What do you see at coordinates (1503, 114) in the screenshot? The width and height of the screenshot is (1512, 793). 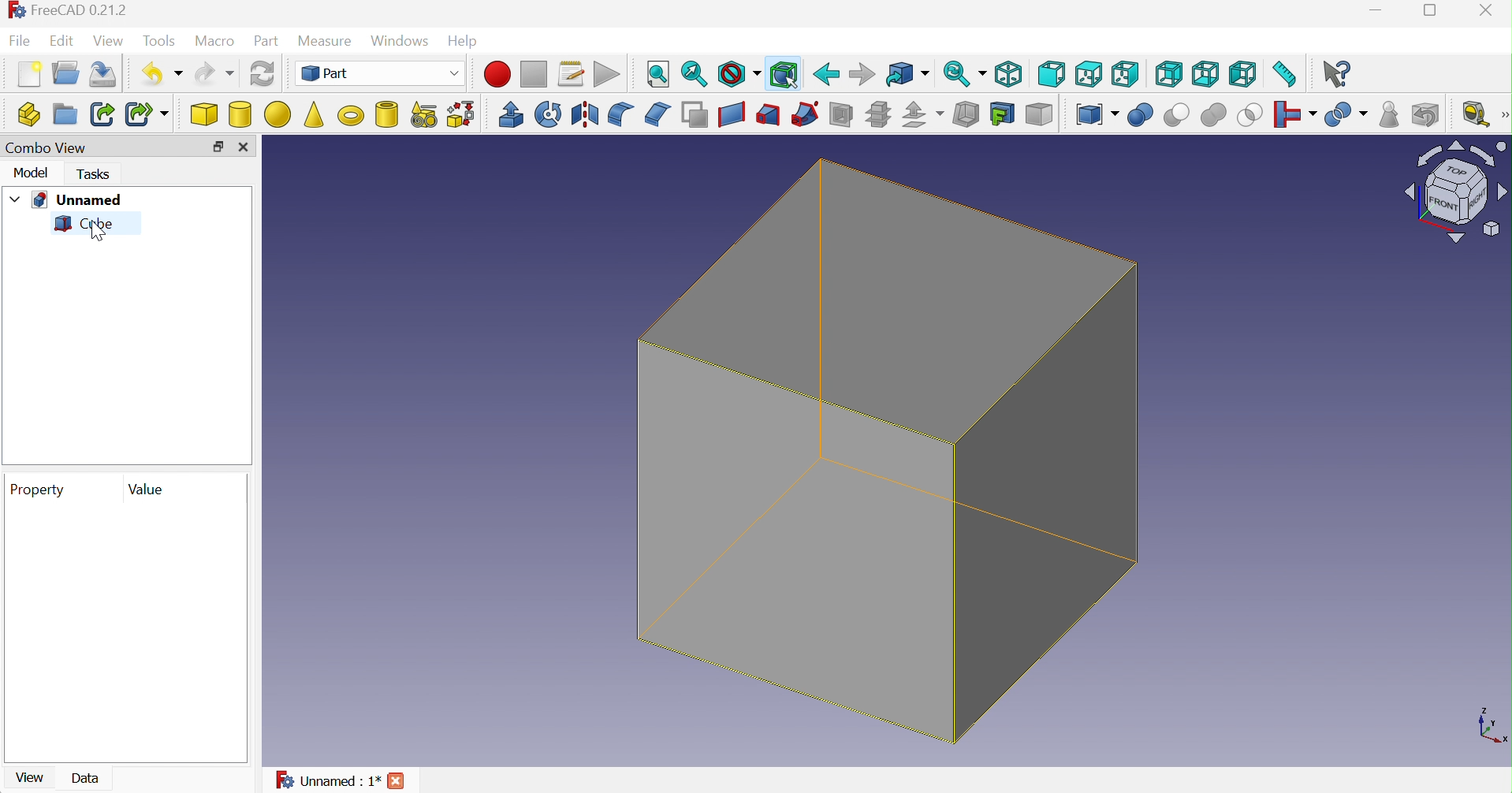 I see `[Measure]` at bounding box center [1503, 114].